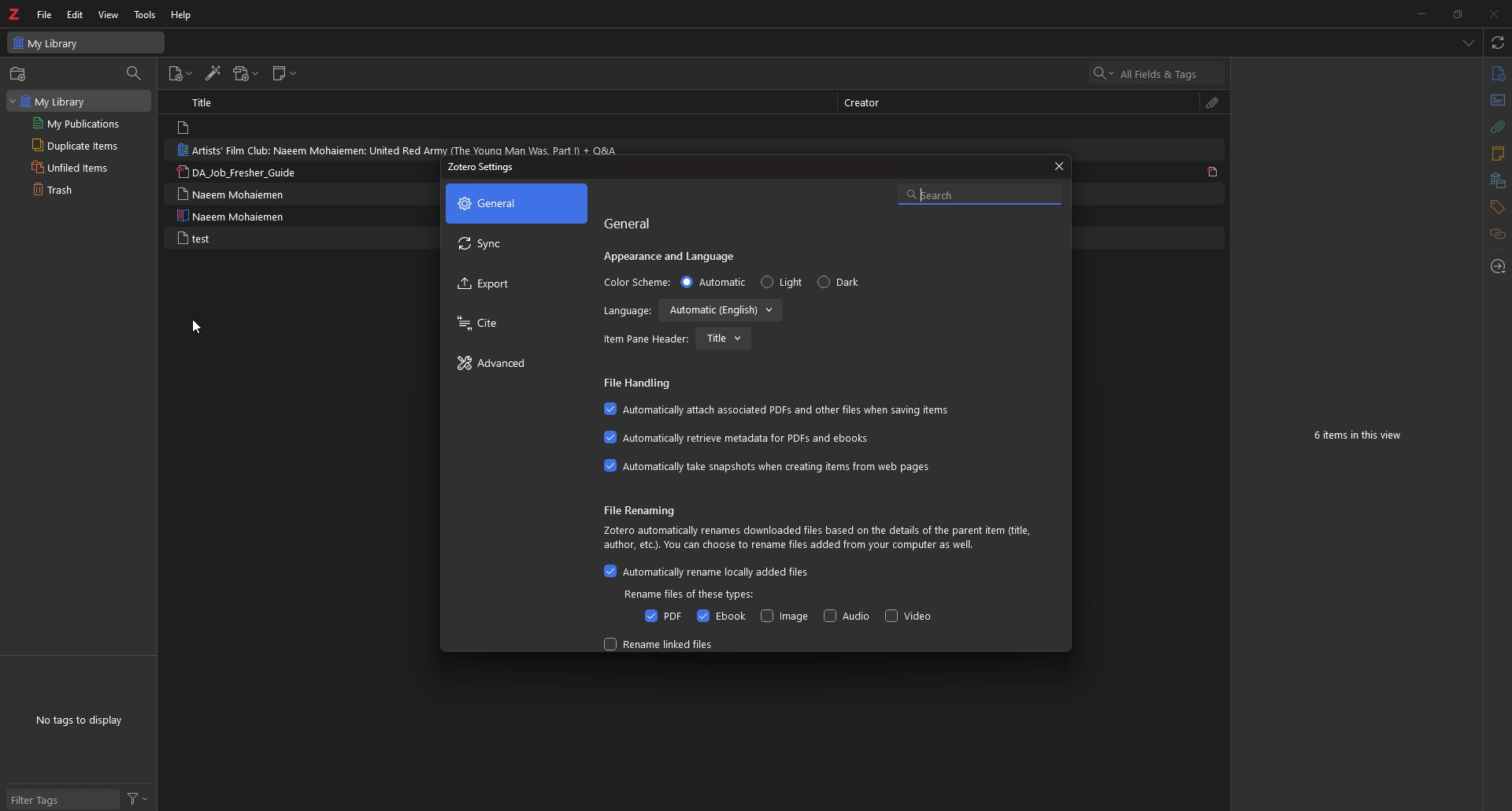  What do you see at coordinates (20, 74) in the screenshot?
I see `add items` at bounding box center [20, 74].